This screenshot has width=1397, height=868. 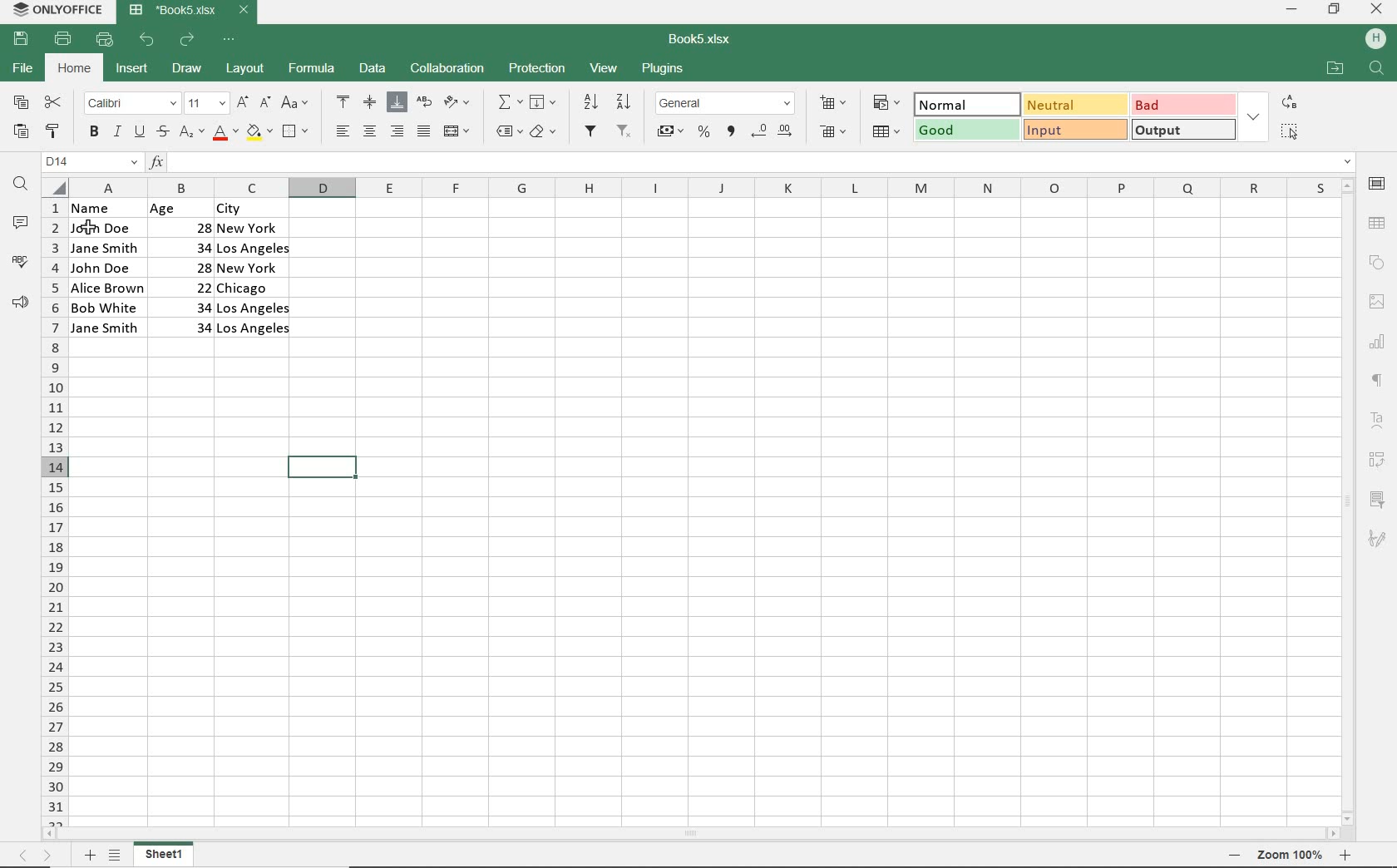 I want to click on CLOSE, so click(x=1377, y=10).